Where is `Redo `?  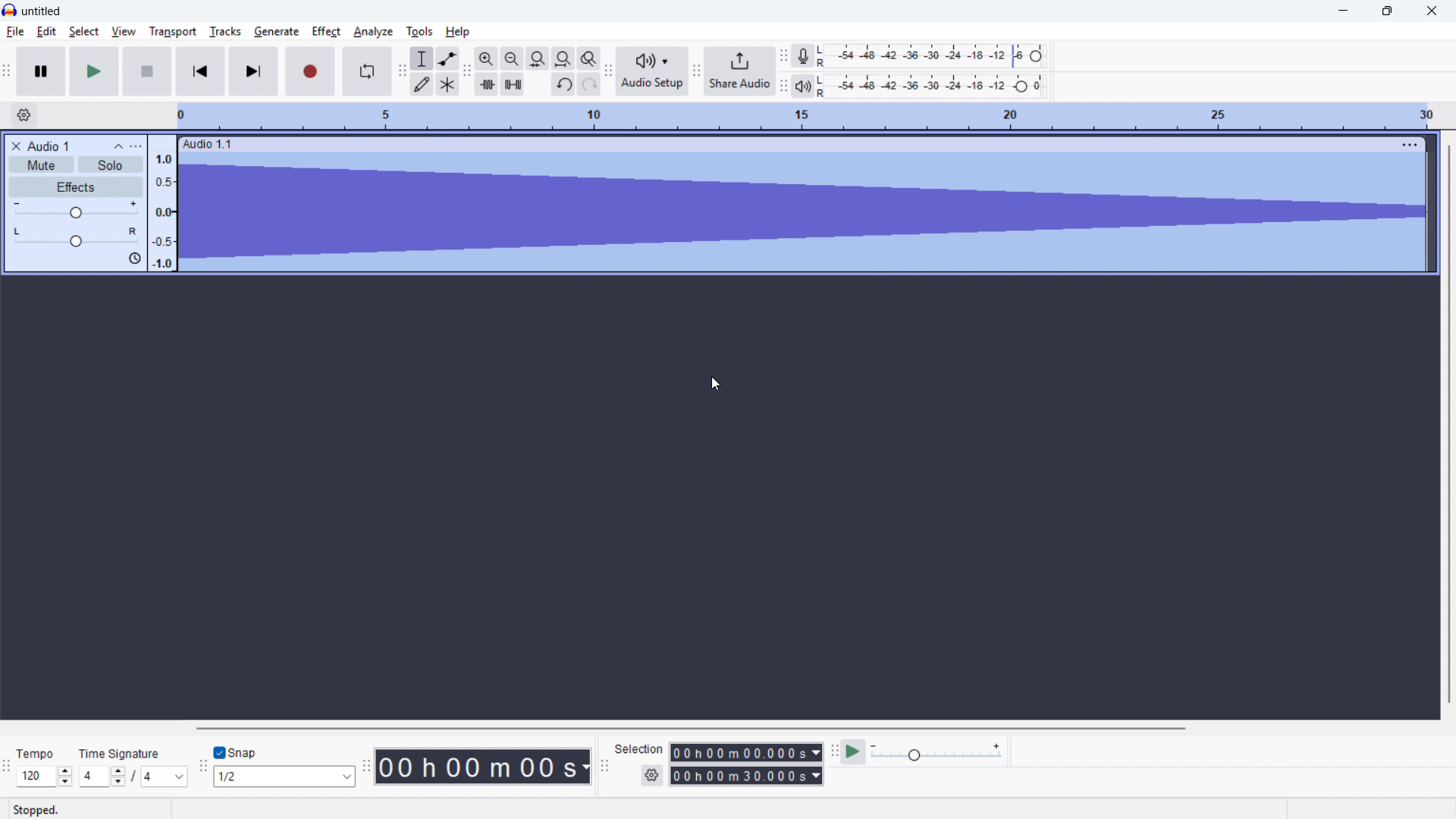
Redo  is located at coordinates (588, 85).